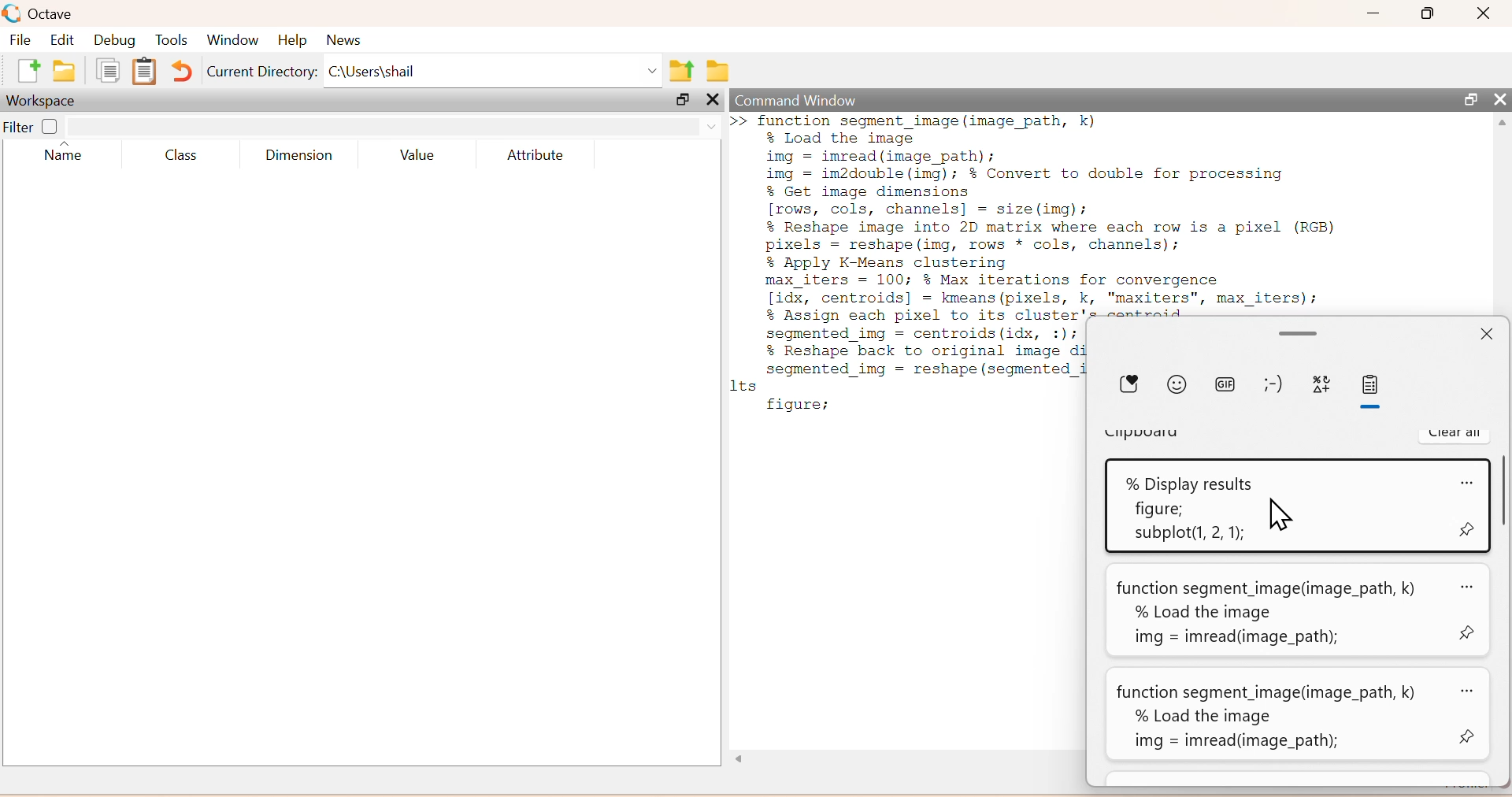  Describe the element at coordinates (684, 72) in the screenshot. I see `one directory up` at that location.